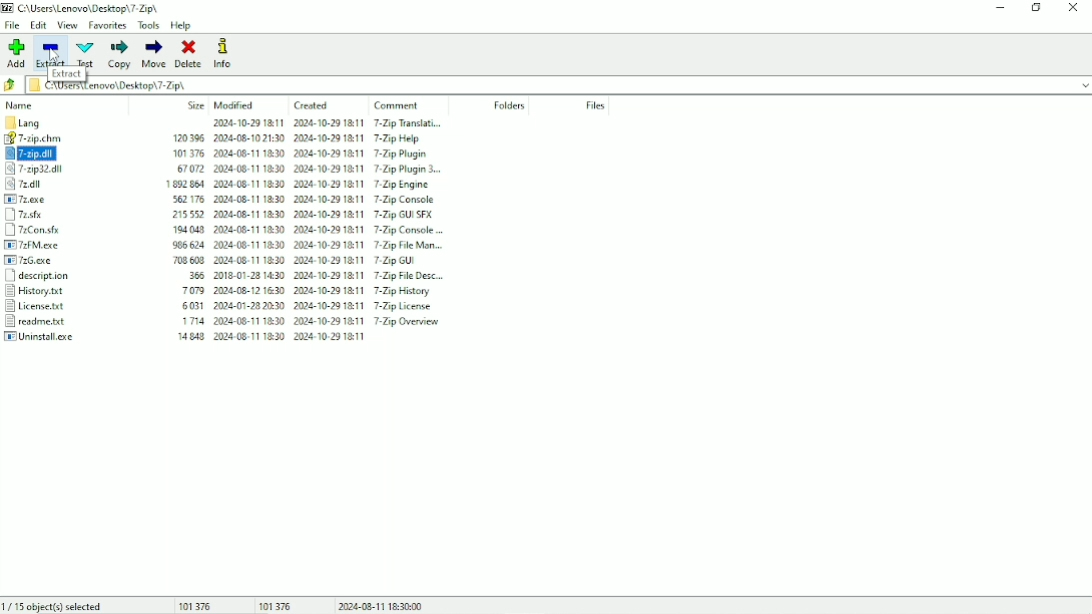 The image size is (1092, 614). I want to click on UI NBN RN 24ND RN, so click(299, 341).